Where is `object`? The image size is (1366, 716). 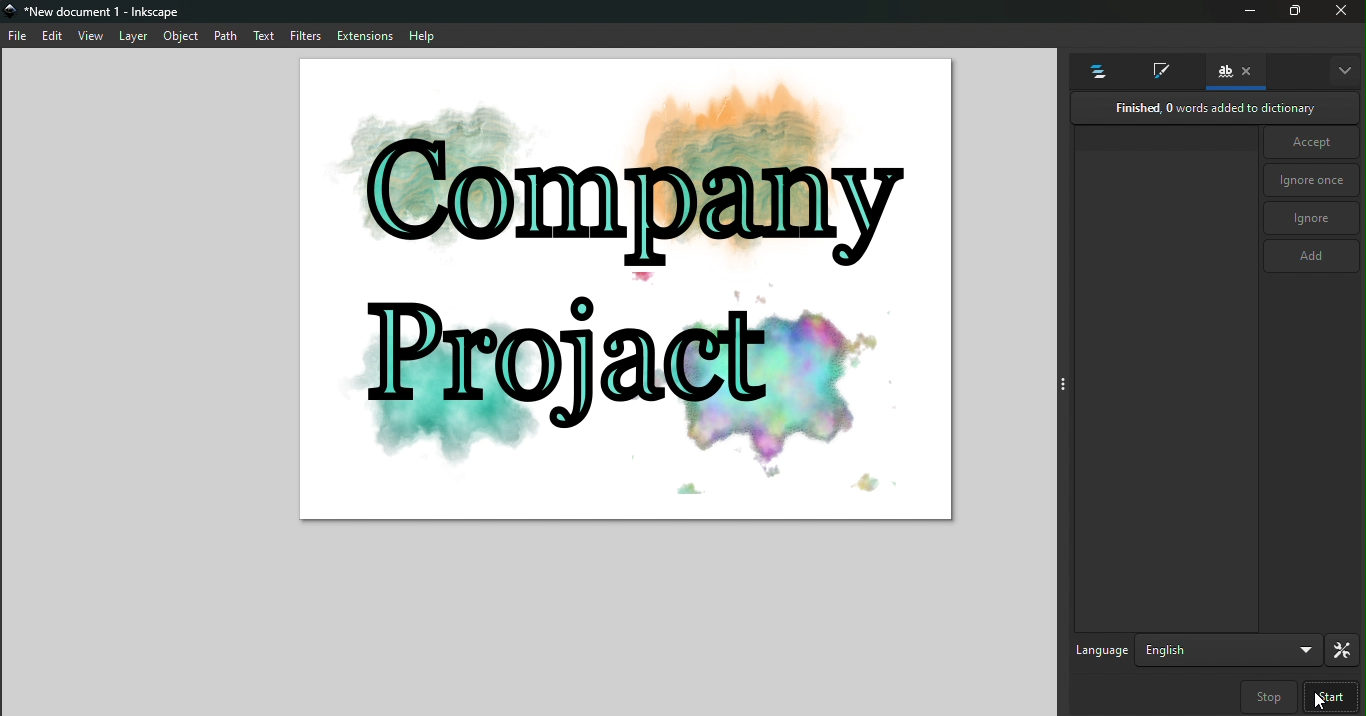 object is located at coordinates (182, 37).